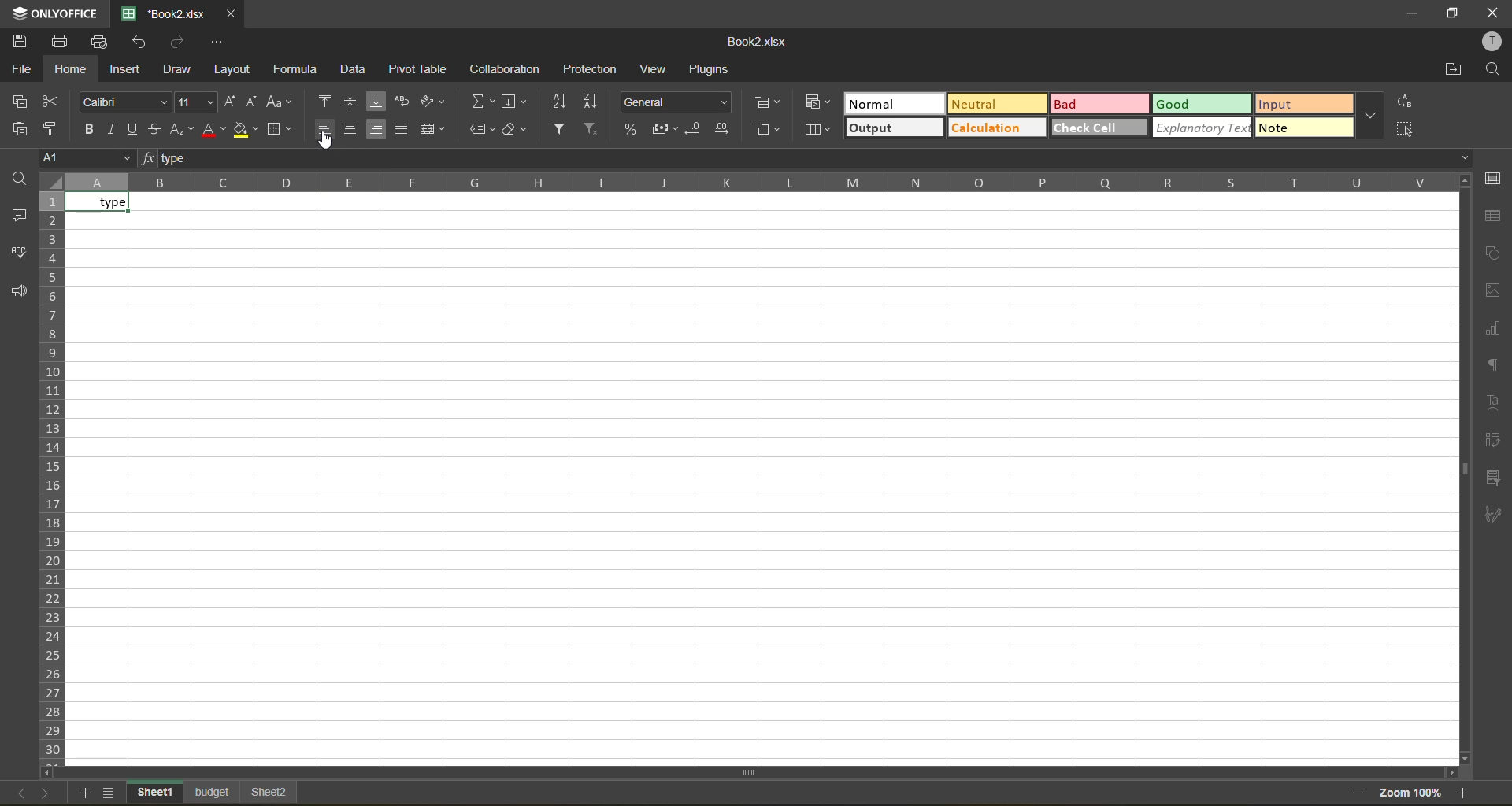 The image size is (1512, 806). Describe the element at coordinates (280, 129) in the screenshot. I see `borders` at that location.